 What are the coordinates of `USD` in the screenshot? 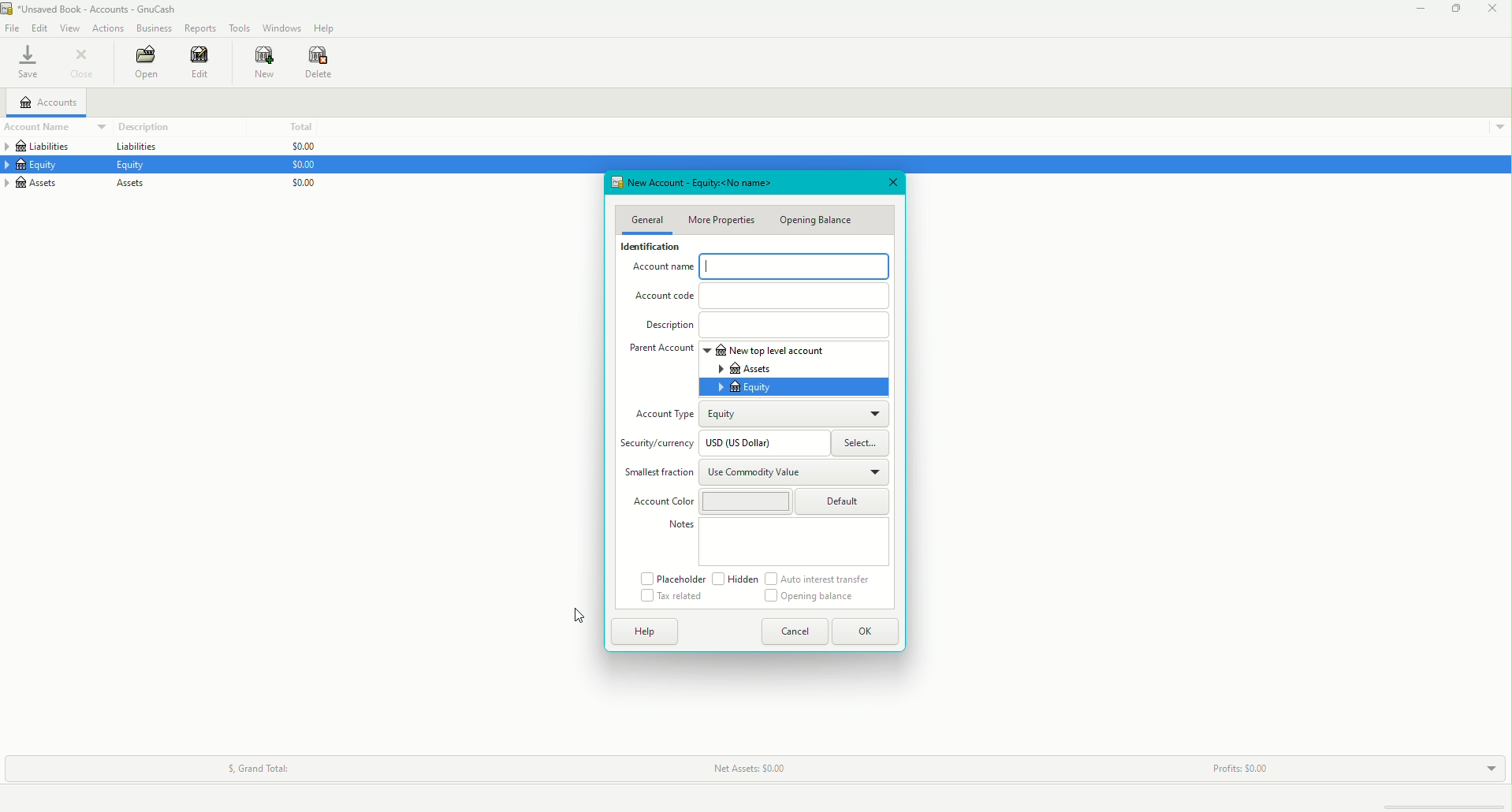 It's located at (759, 441).